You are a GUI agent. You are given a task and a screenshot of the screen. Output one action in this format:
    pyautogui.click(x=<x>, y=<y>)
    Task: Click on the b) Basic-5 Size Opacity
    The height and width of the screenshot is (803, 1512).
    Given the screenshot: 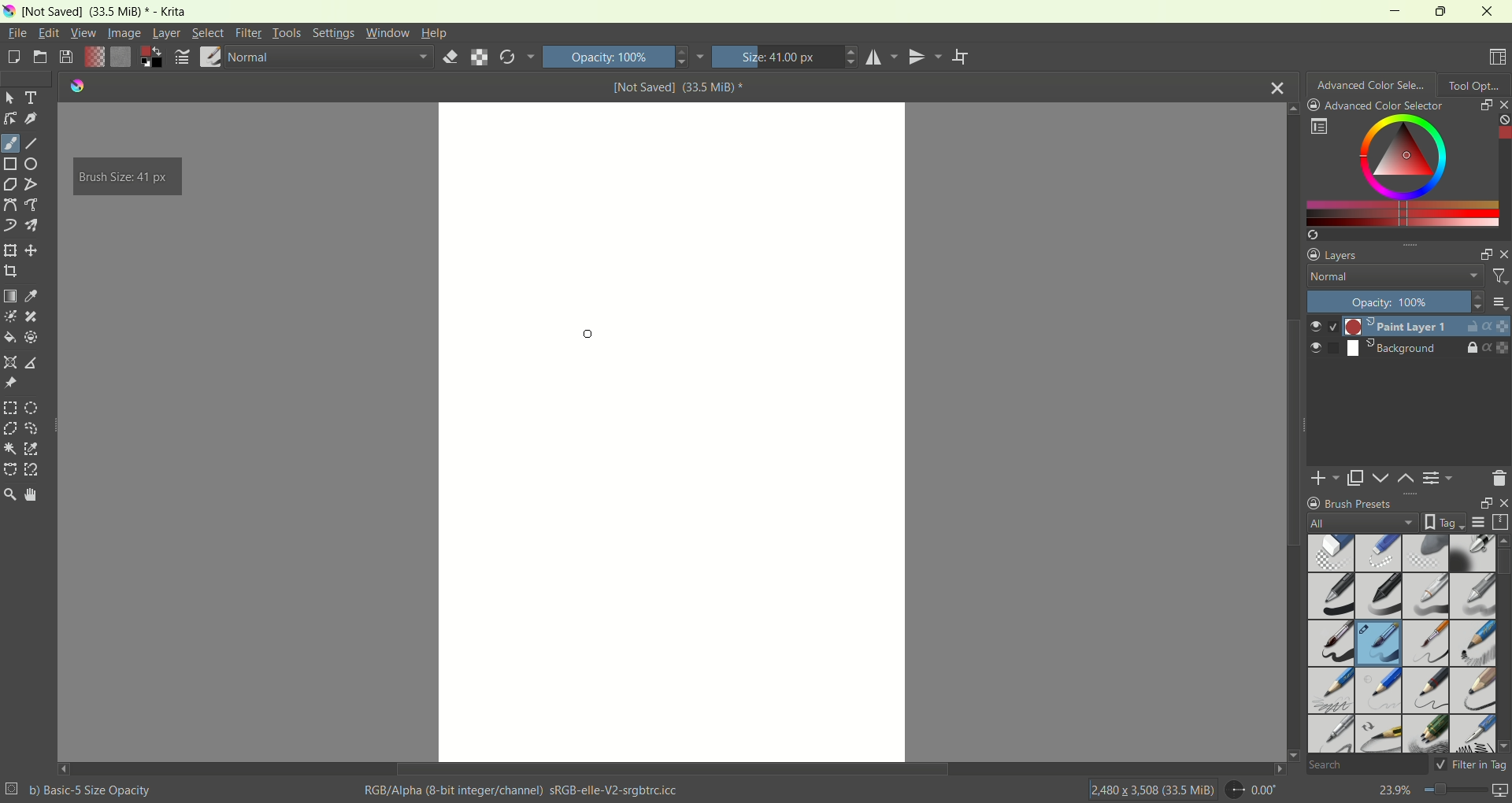 What is the action you would take?
    pyautogui.click(x=81, y=789)
    